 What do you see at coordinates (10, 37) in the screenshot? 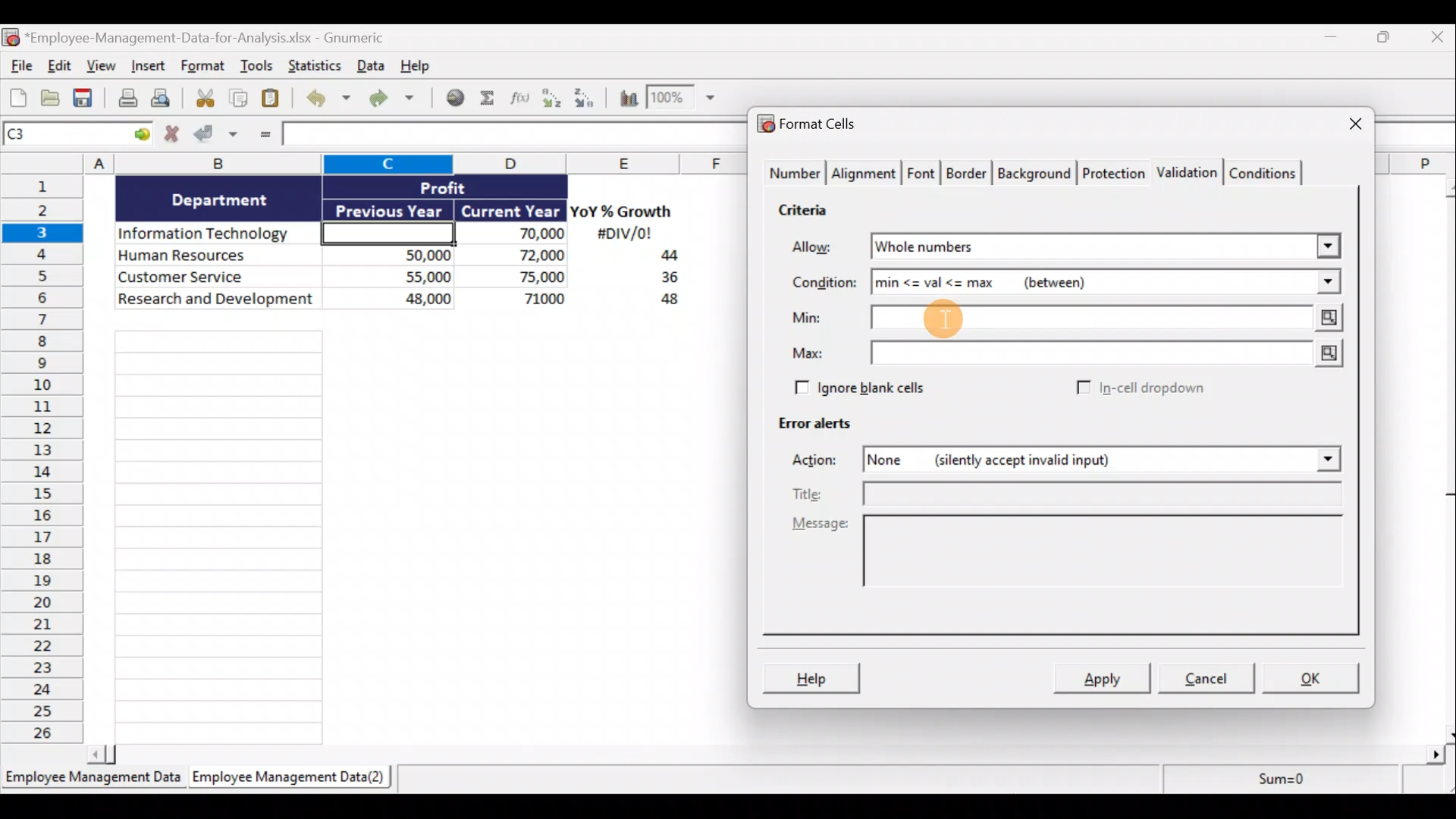
I see `Gnumeric logo` at bounding box center [10, 37].